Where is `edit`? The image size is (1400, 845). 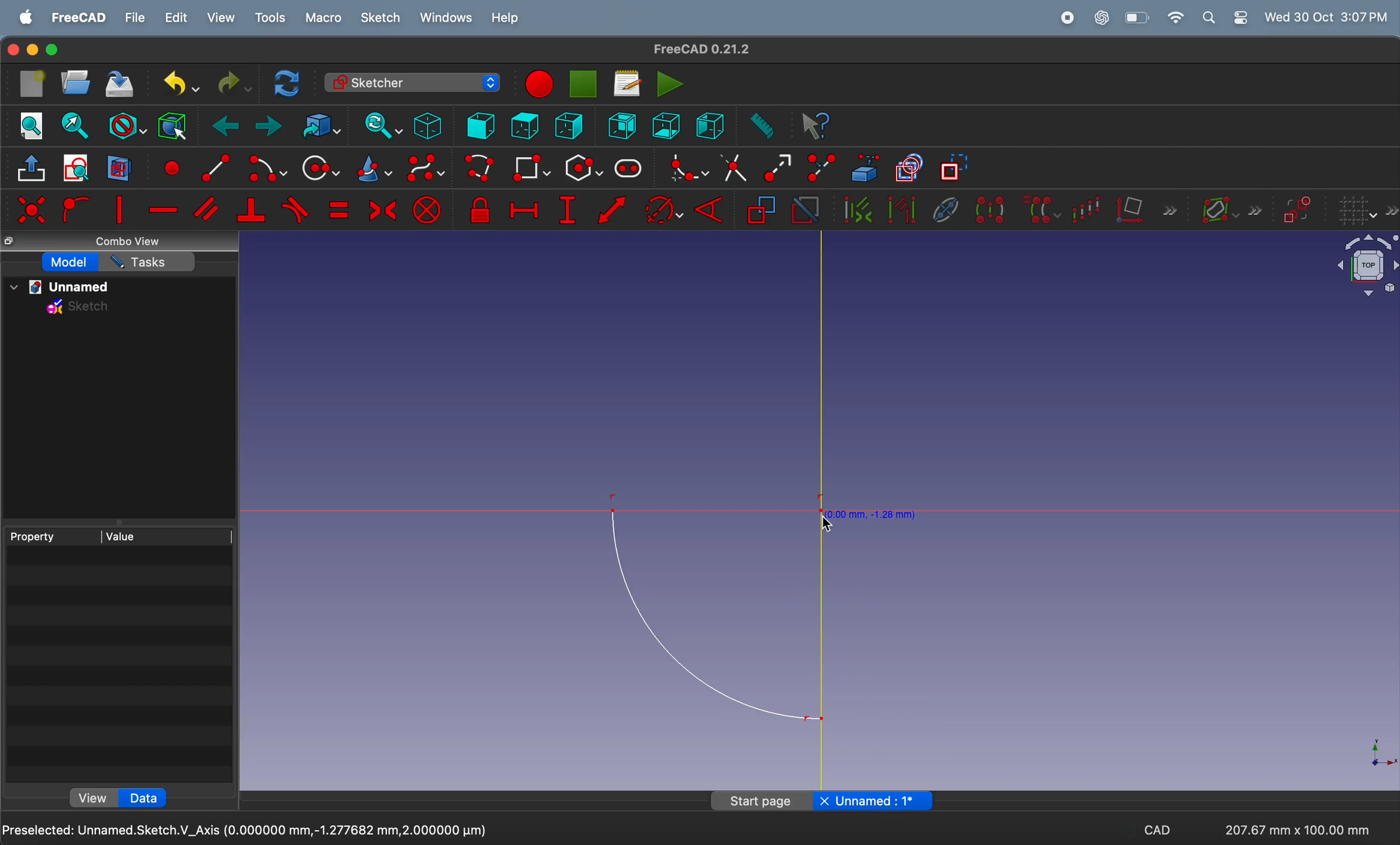 edit is located at coordinates (178, 18).